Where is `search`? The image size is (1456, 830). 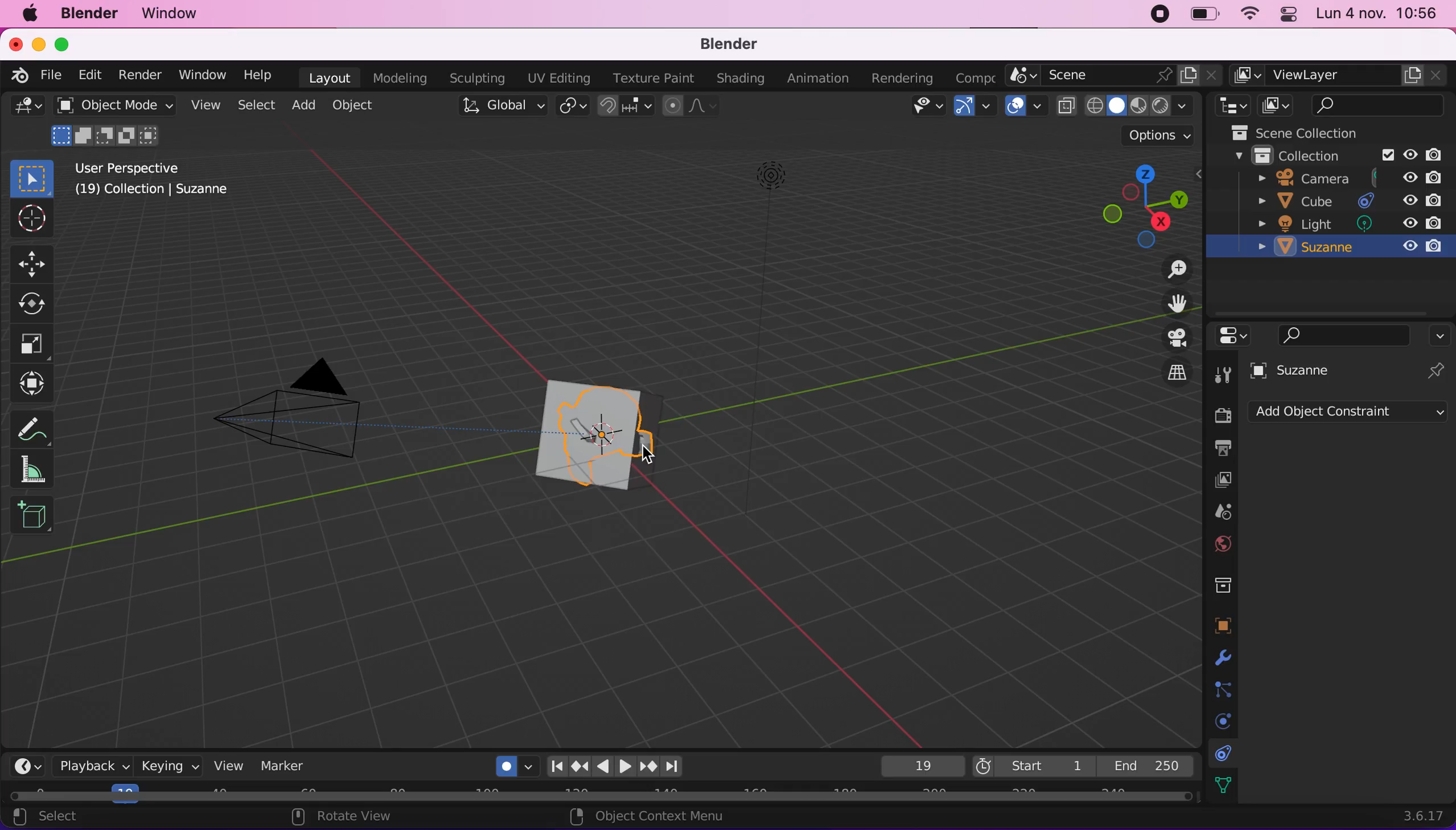 search is located at coordinates (1378, 106).